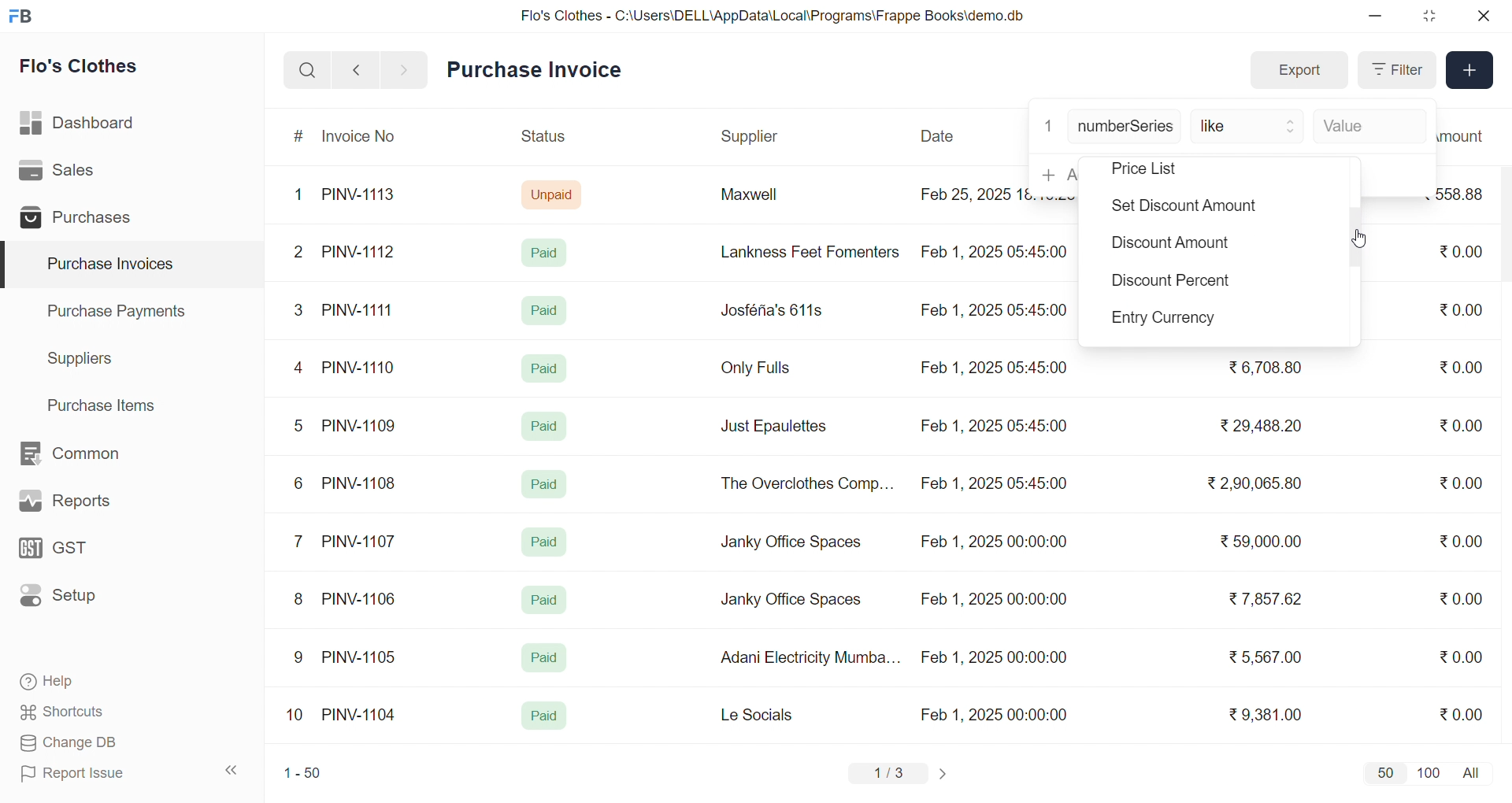  I want to click on Paid, so click(544, 716).